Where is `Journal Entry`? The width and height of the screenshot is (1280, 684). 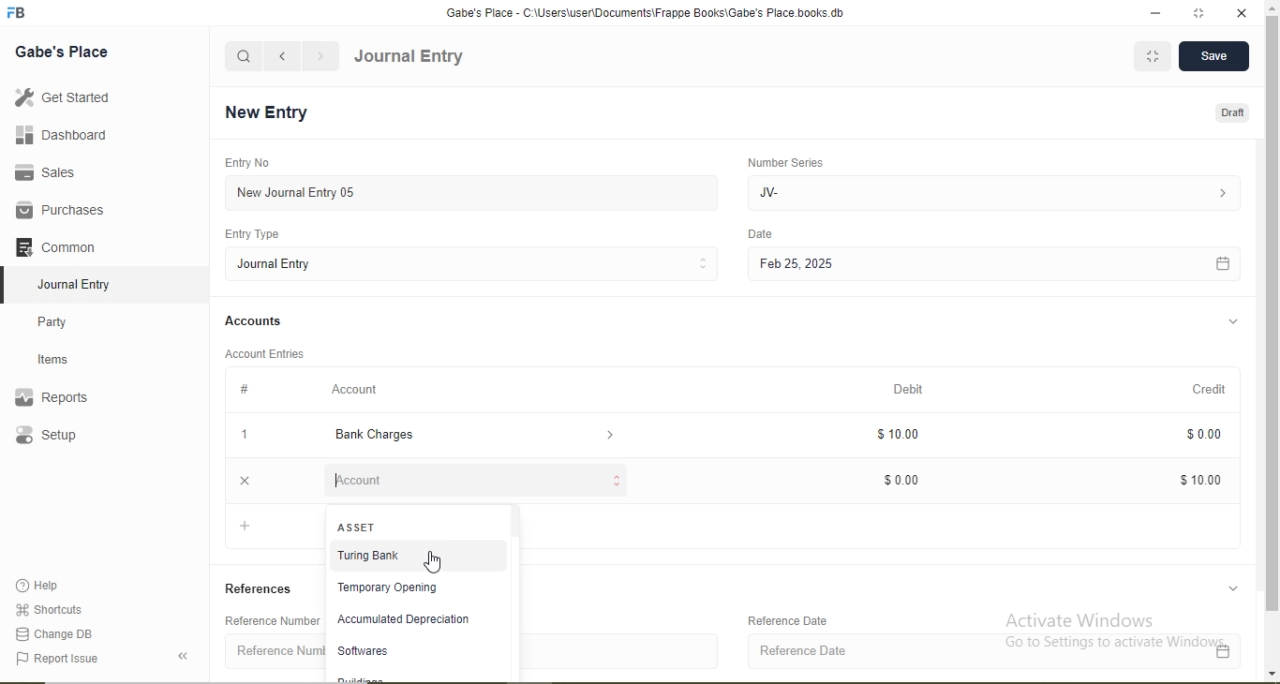 Journal Entry is located at coordinates (478, 263).